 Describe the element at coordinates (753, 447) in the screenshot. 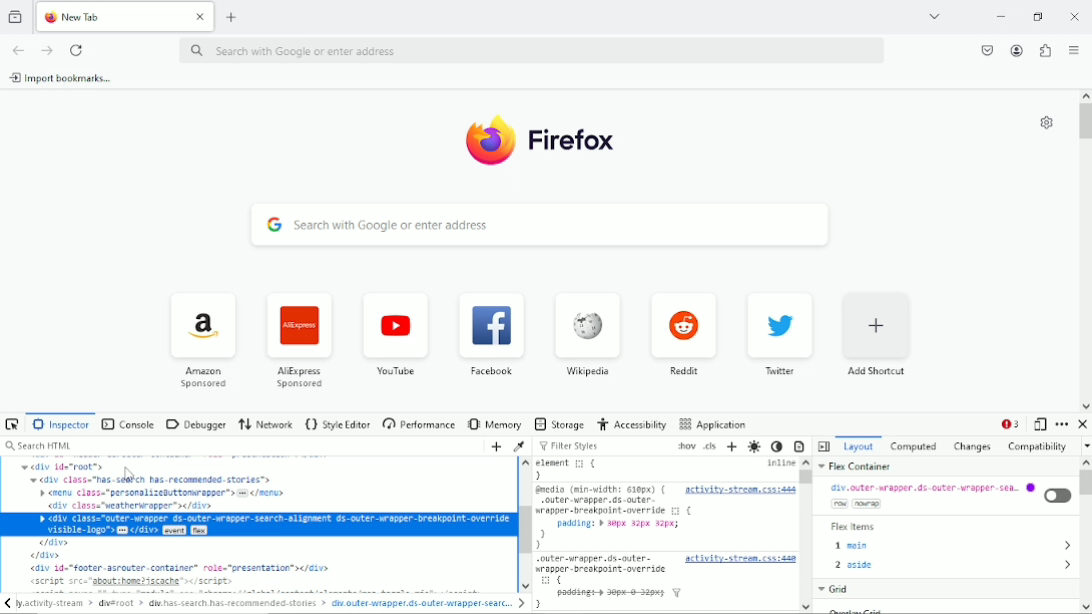

I see `Toggle light color scheme simulation for the page` at that location.